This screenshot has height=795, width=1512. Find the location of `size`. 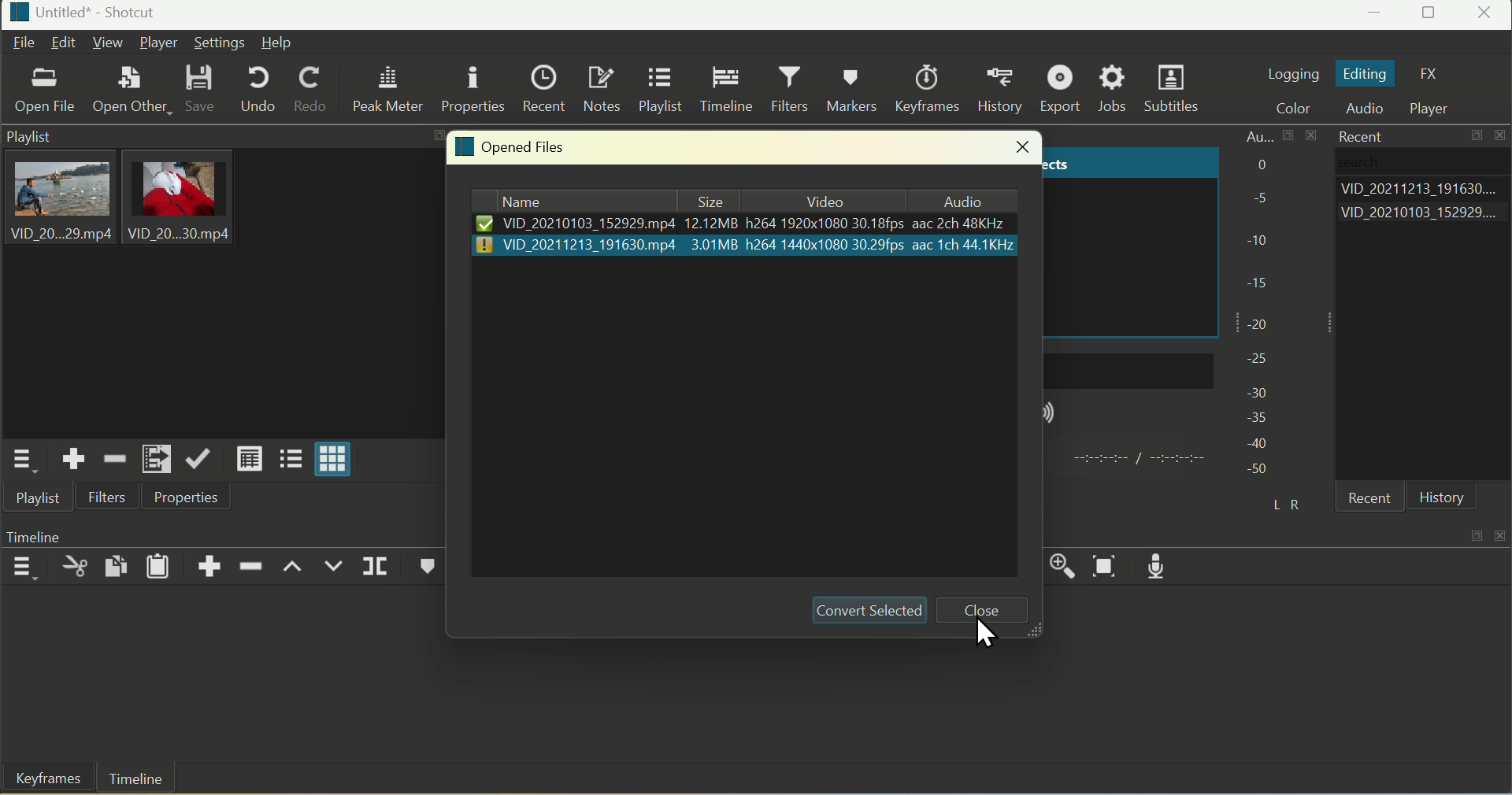

size is located at coordinates (709, 200).